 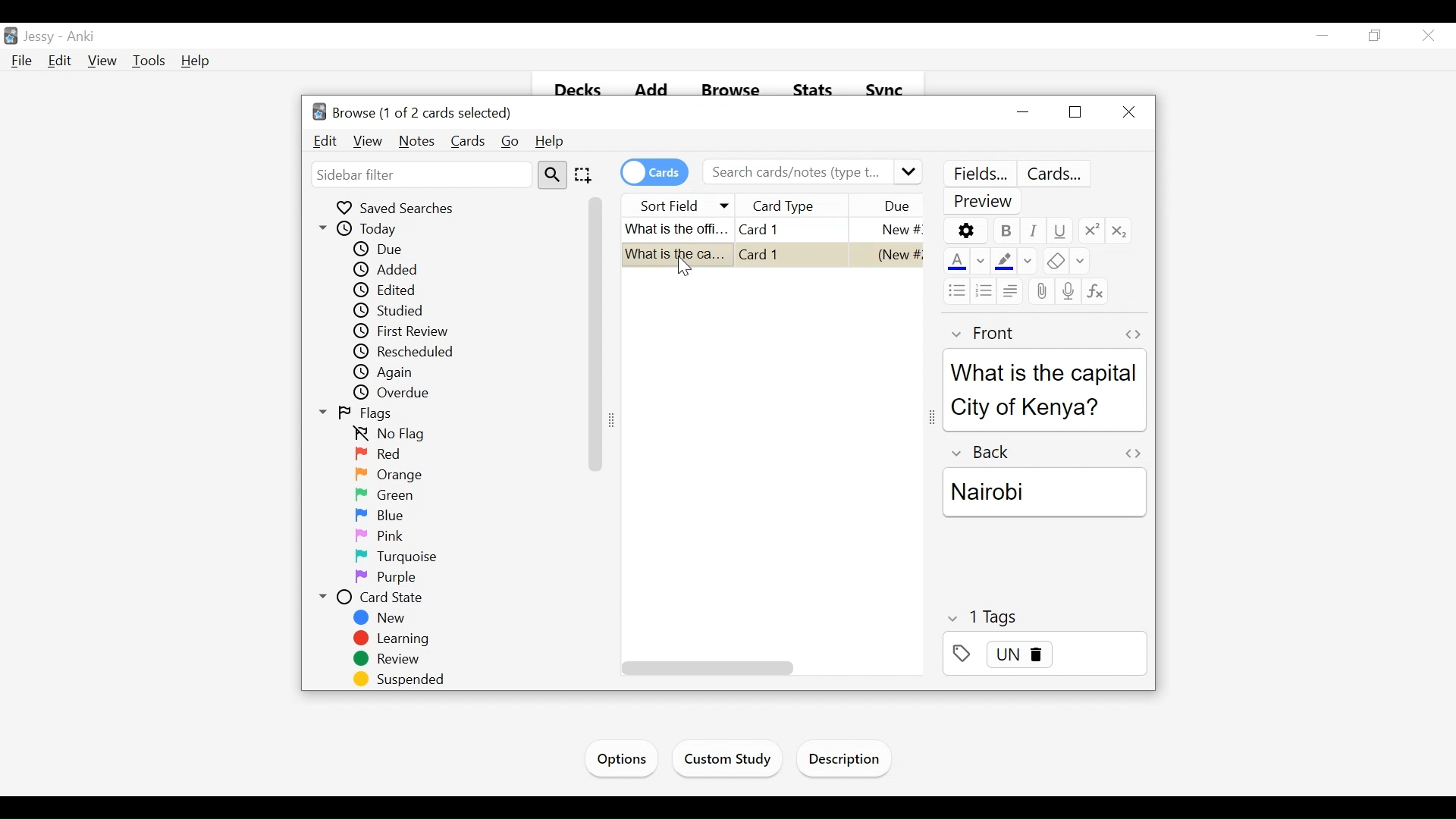 I want to click on User Nmae, so click(x=42, y=38).